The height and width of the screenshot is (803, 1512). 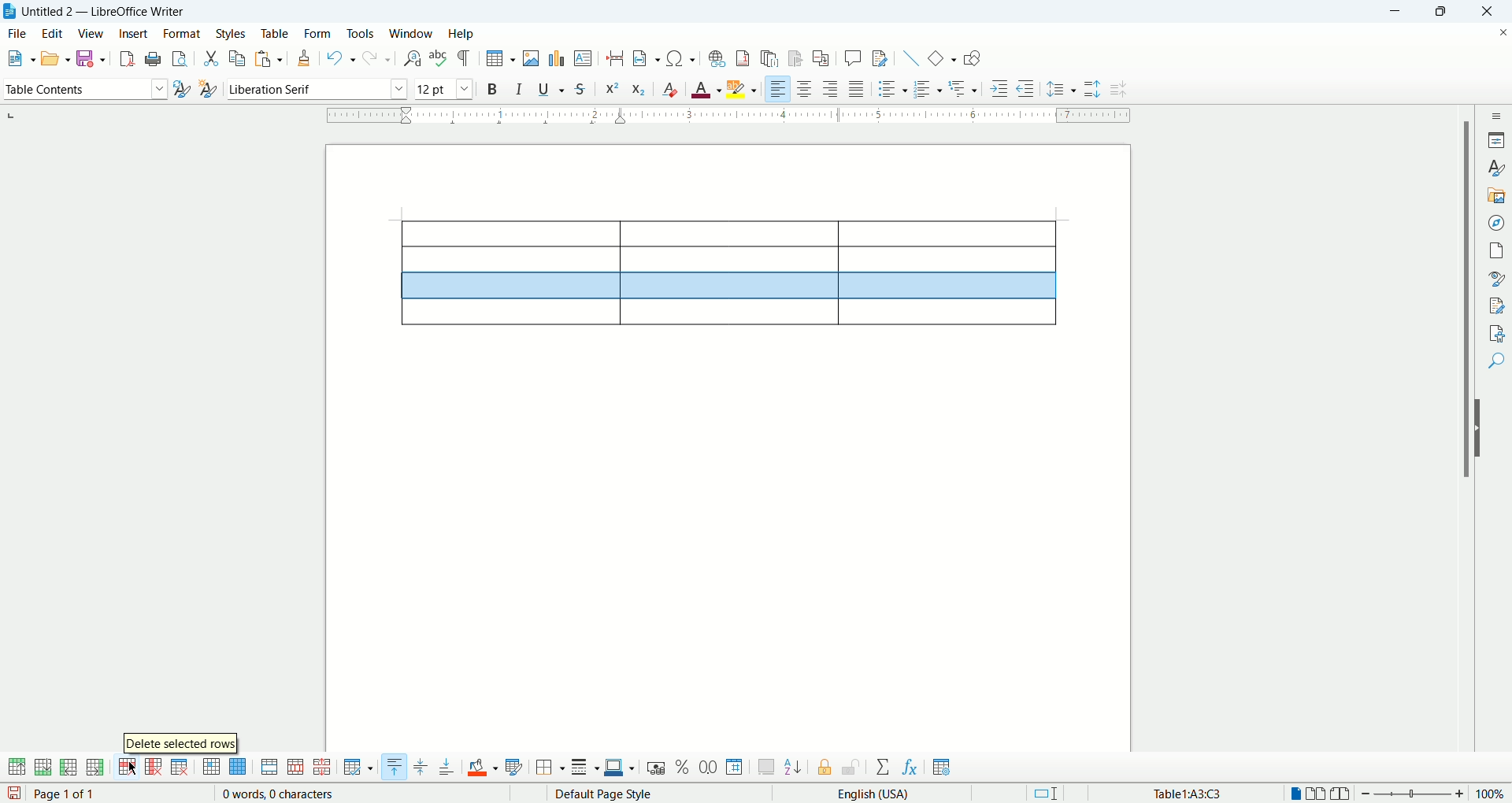 I want to click on sidebar, so click(x=1496, y=117).